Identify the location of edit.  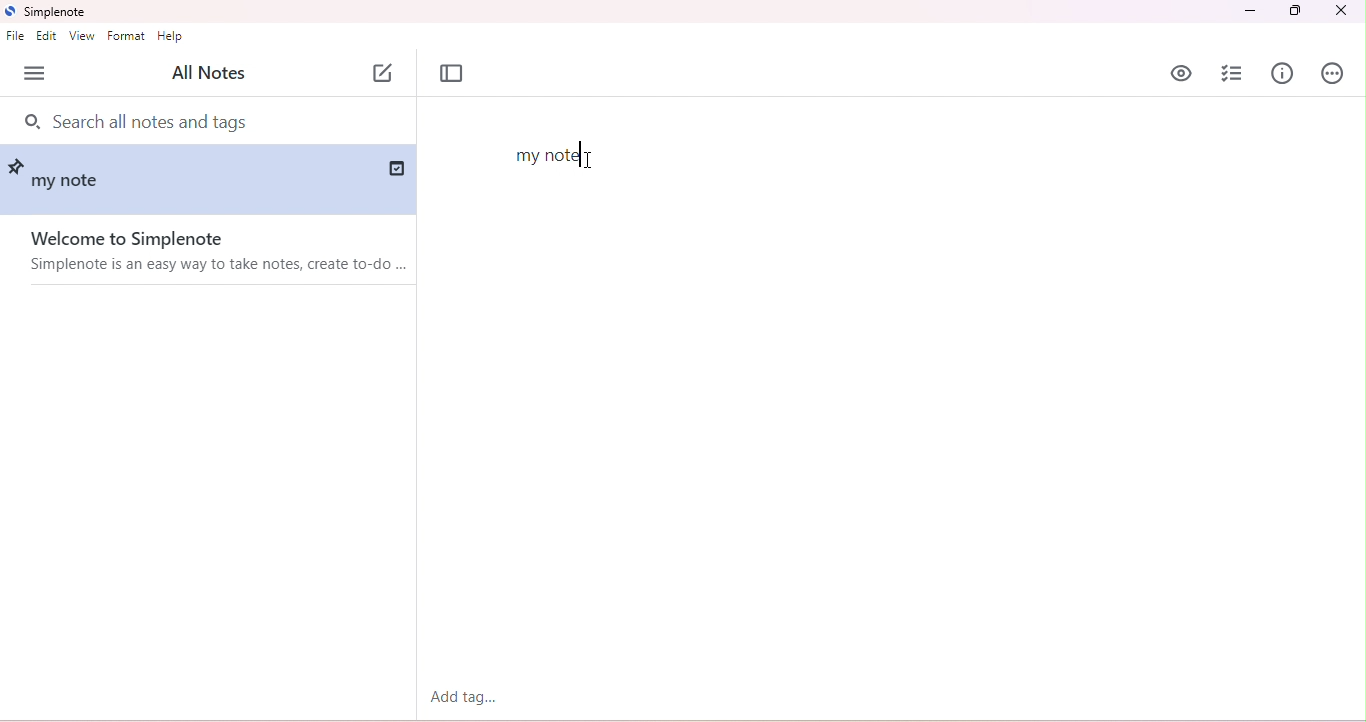
(48, 35).